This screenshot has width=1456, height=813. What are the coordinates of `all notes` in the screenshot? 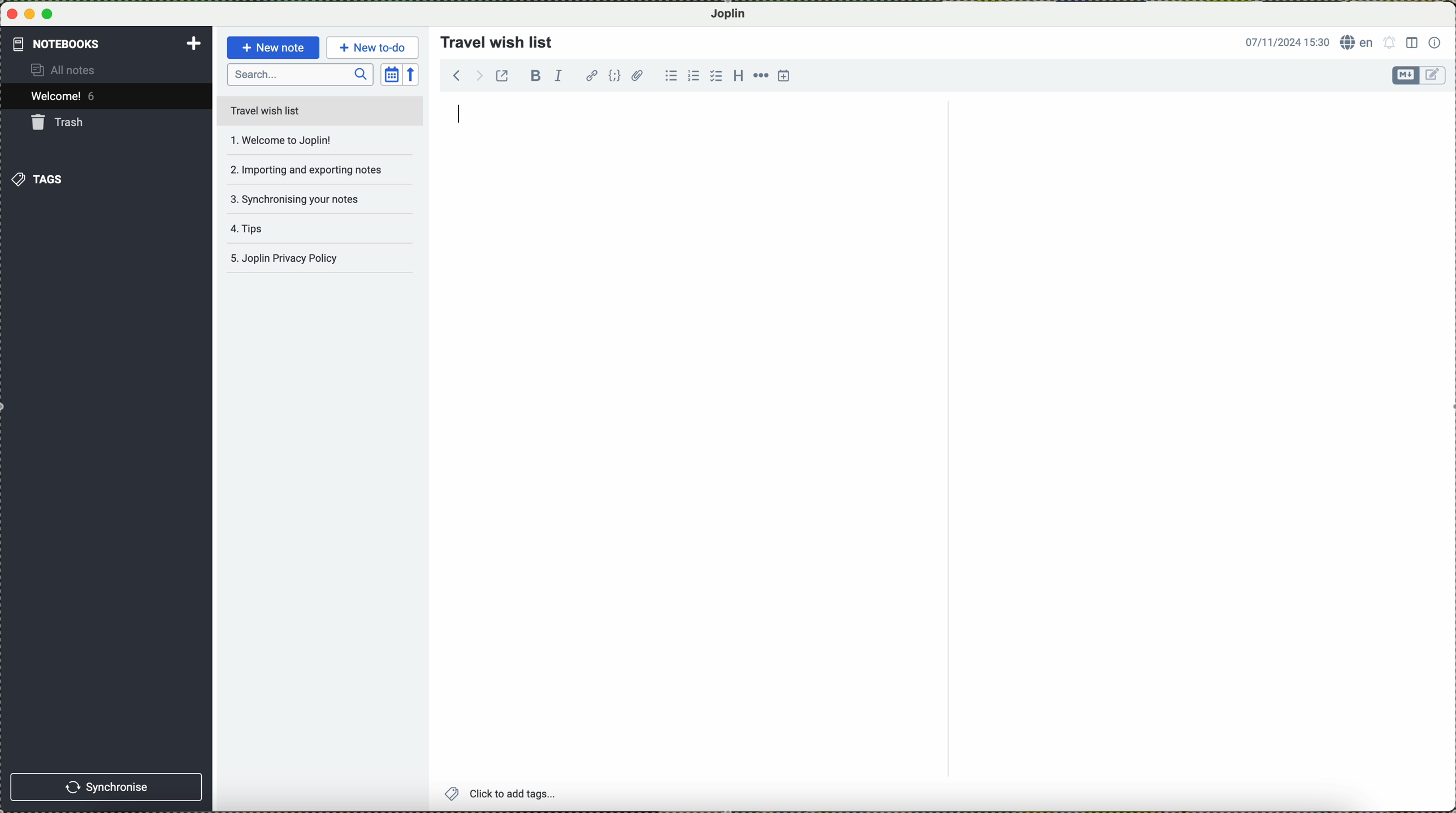 It's located at (73, 71).